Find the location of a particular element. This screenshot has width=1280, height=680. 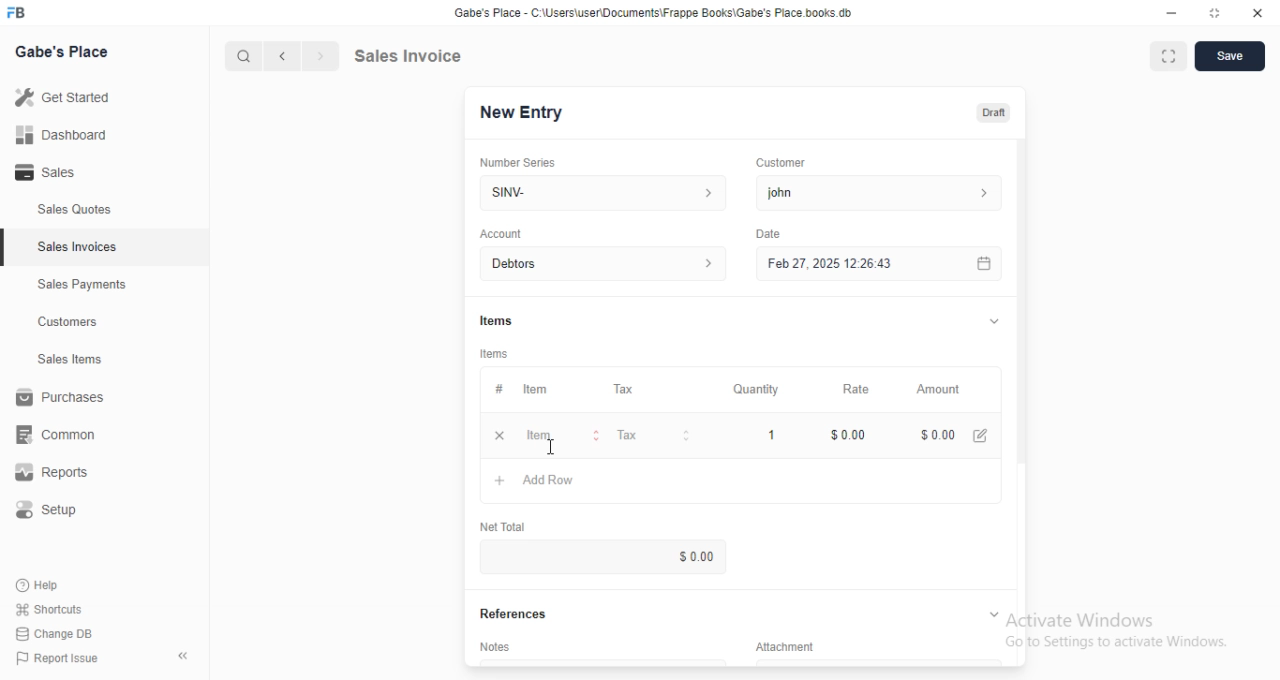

Sales Quotes is located at coordinates (74, 212).